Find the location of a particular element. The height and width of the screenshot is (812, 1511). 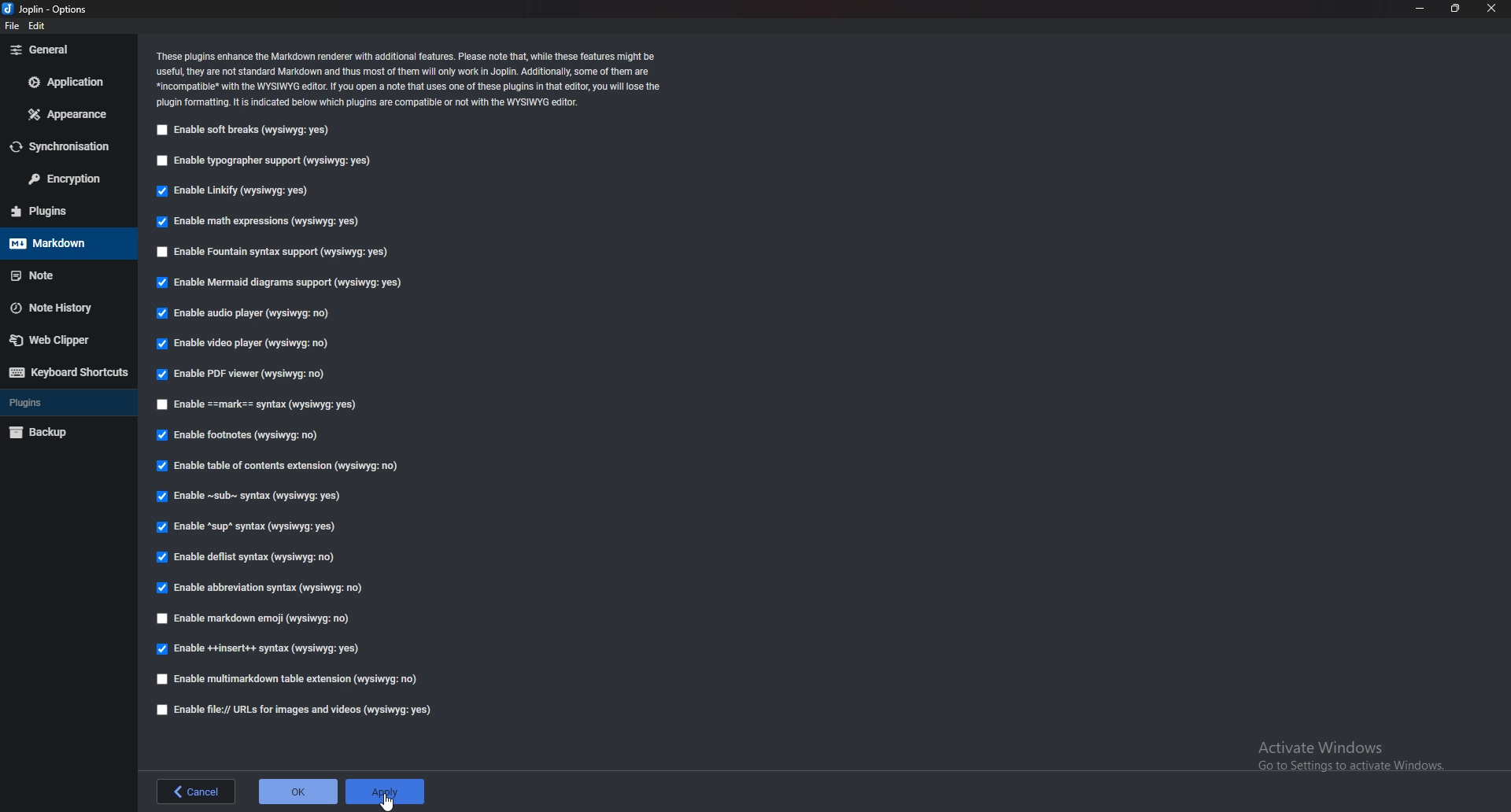

minimize is located at coordinates (1420, 8).